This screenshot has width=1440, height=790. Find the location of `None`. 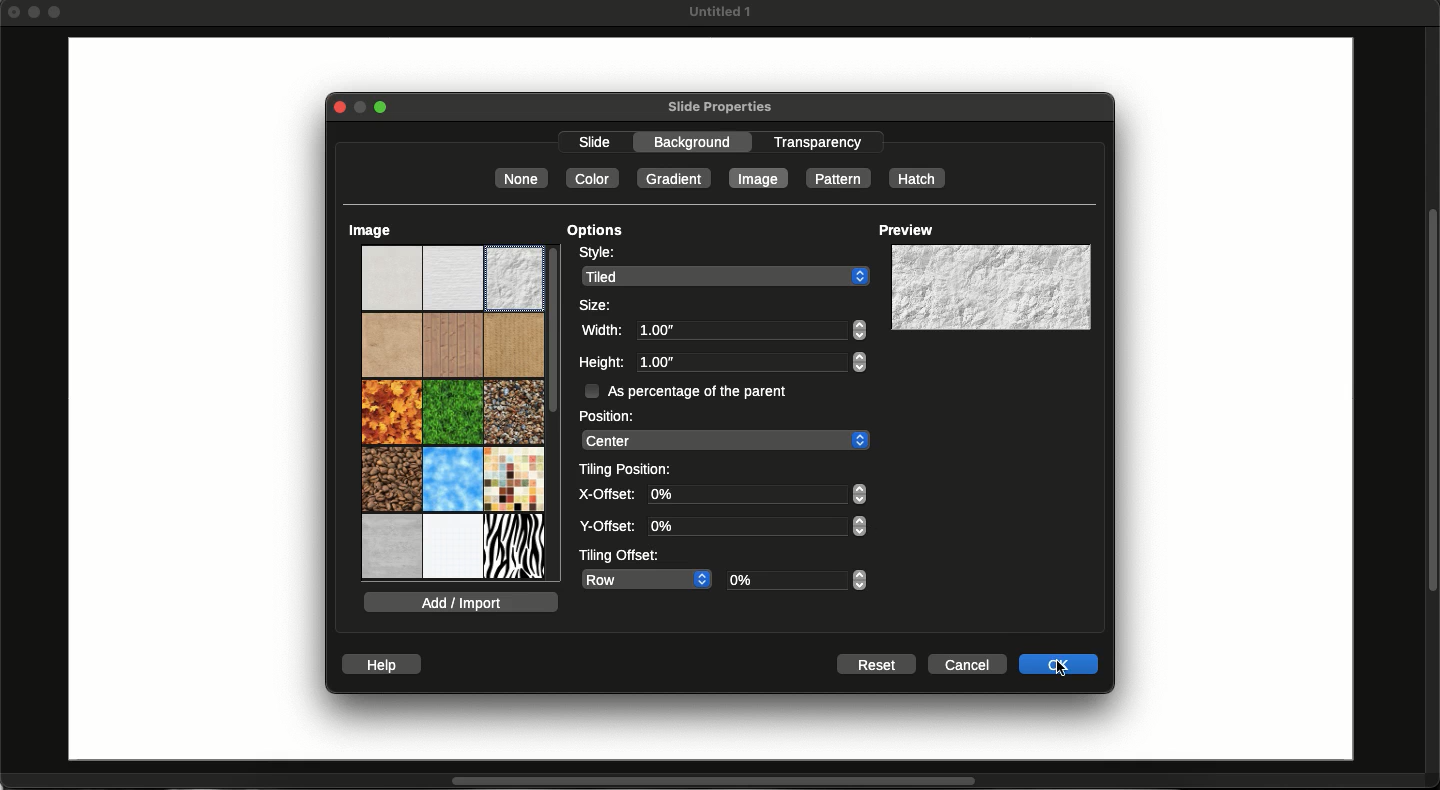

None is located at coordinates (521, 178).